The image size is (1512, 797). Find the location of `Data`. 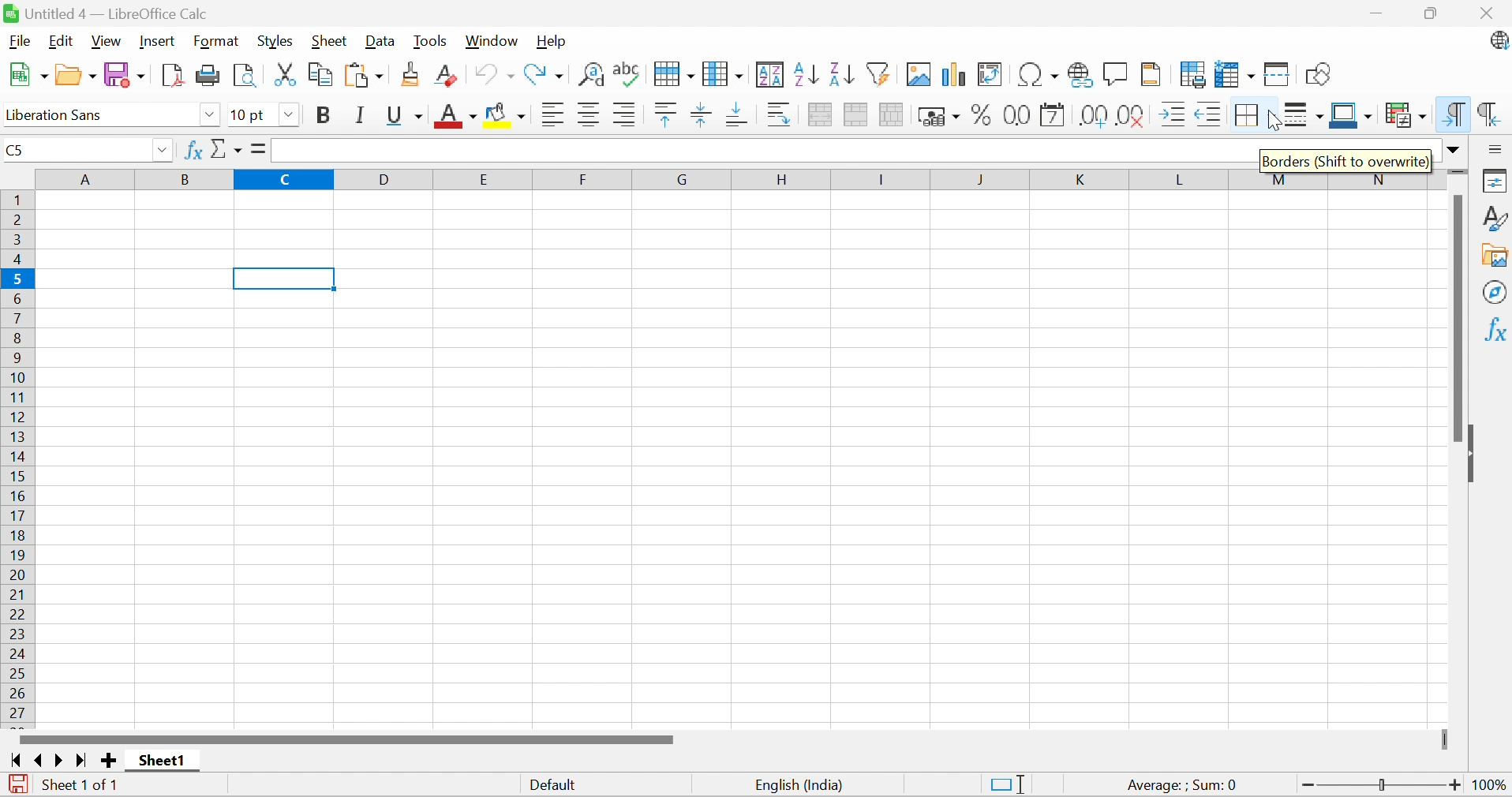

Data is located at coordinates (378, 42).